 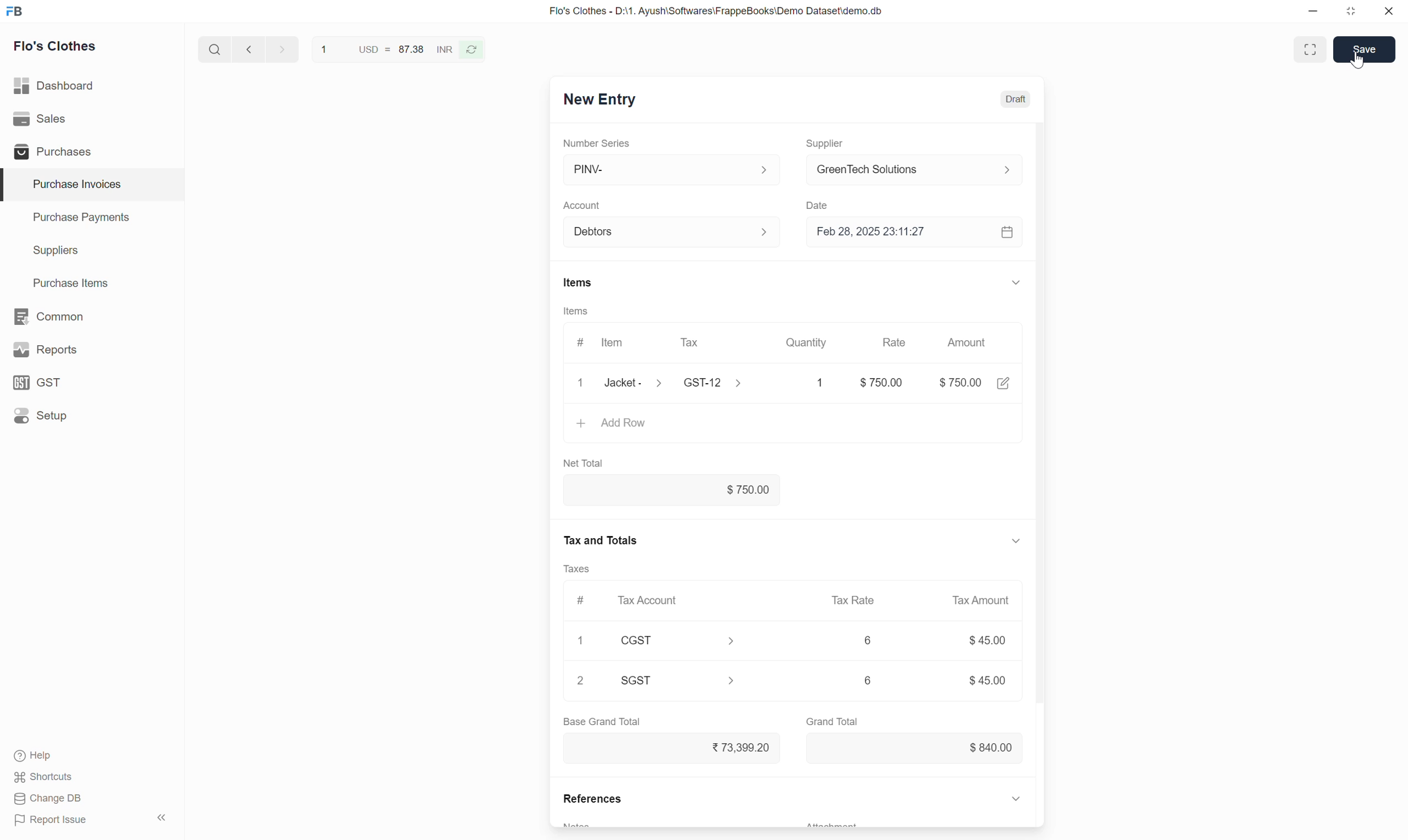 What do you see at coordinates (1357, 61) in the screenshot?
I see `Cursor` at bounding box center [1357, 61].